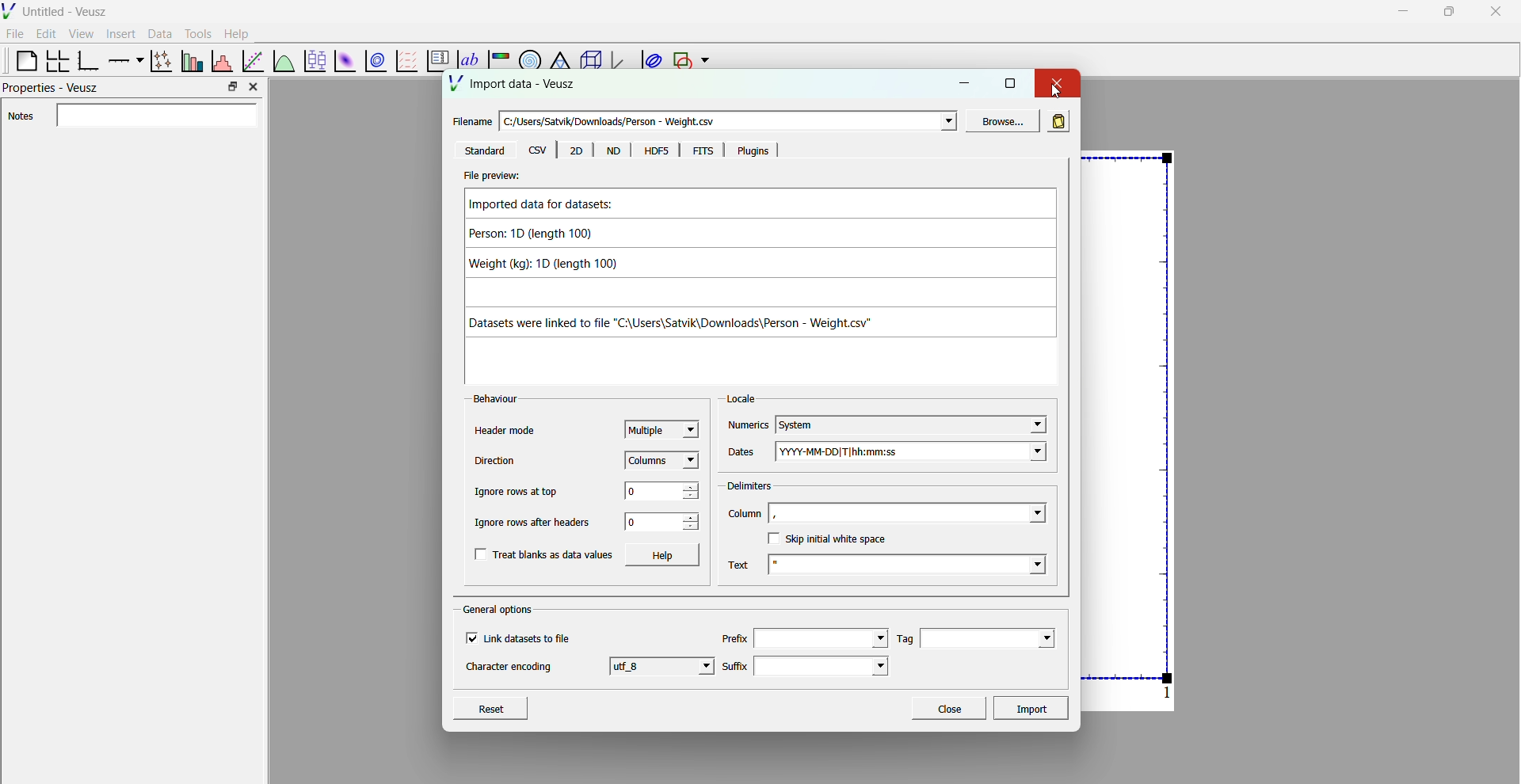 The image size is (1521, 784). Describe the element at coordinates (135, 116) in the screenshot. I see `Notes` at that location.